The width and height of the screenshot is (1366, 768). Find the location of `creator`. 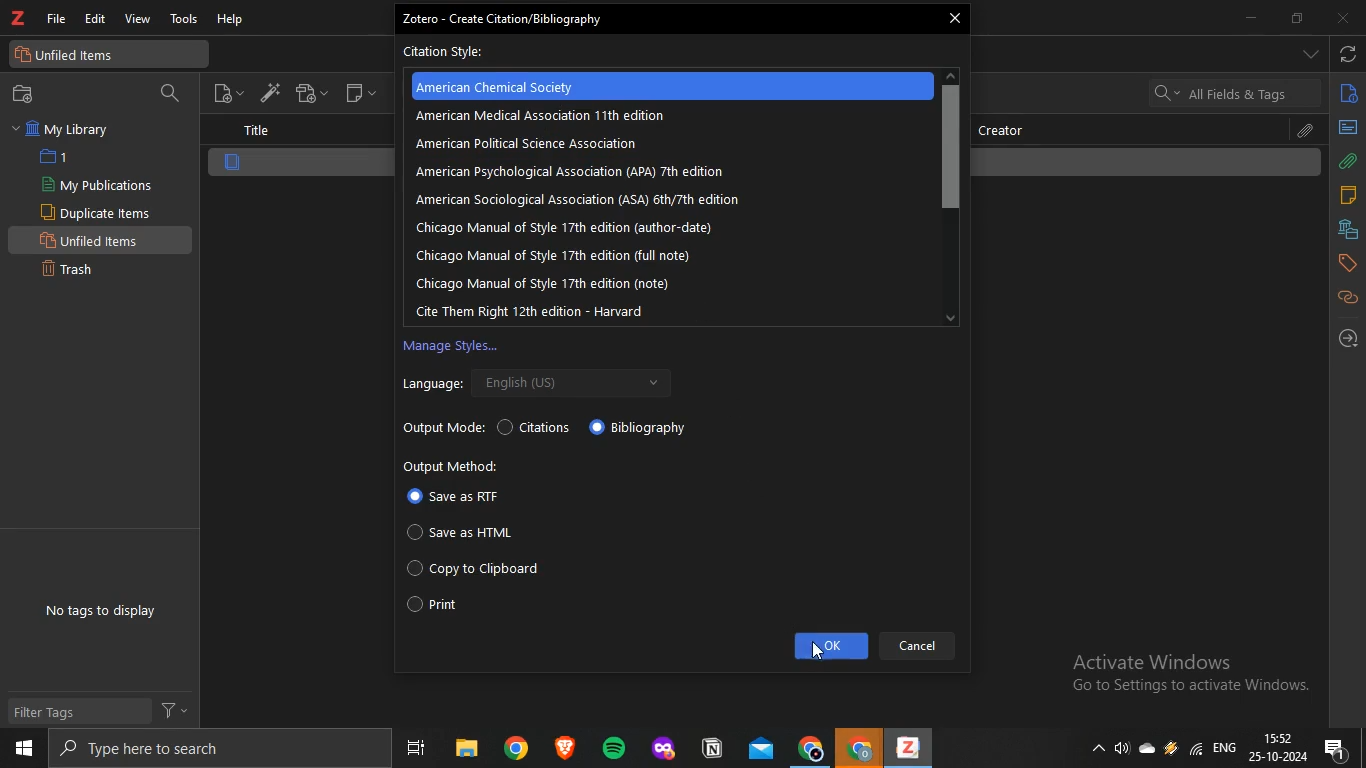

creator is located at coordinates (1009, 129).